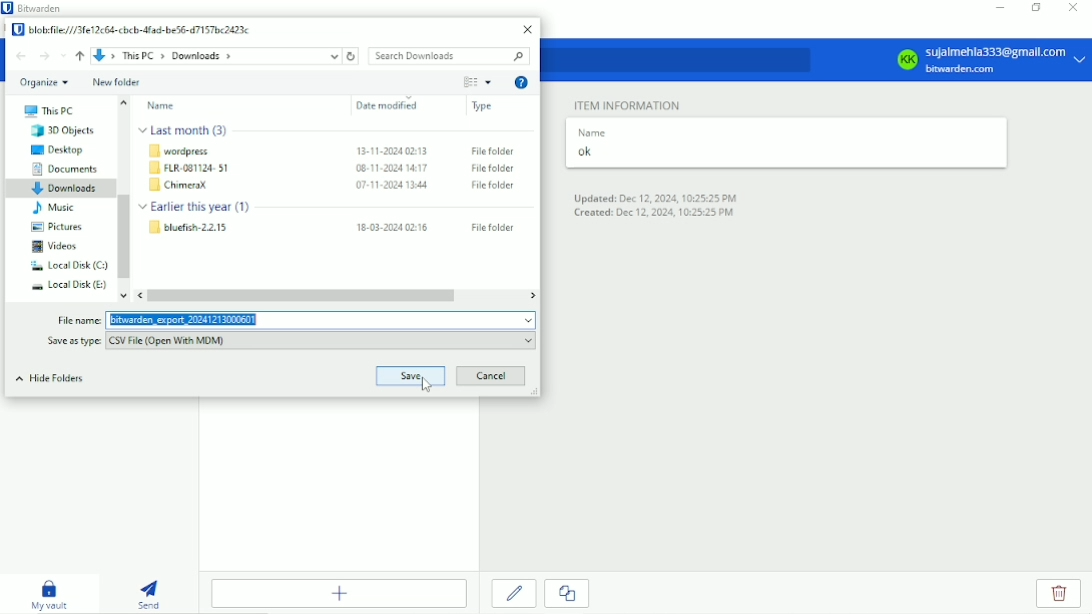 Image resolution: width=1092 pixels, height=614 pixels. Describe the element at coordinates (189, 228) in the screenshot. I see `blue-2.2.15` at that location.